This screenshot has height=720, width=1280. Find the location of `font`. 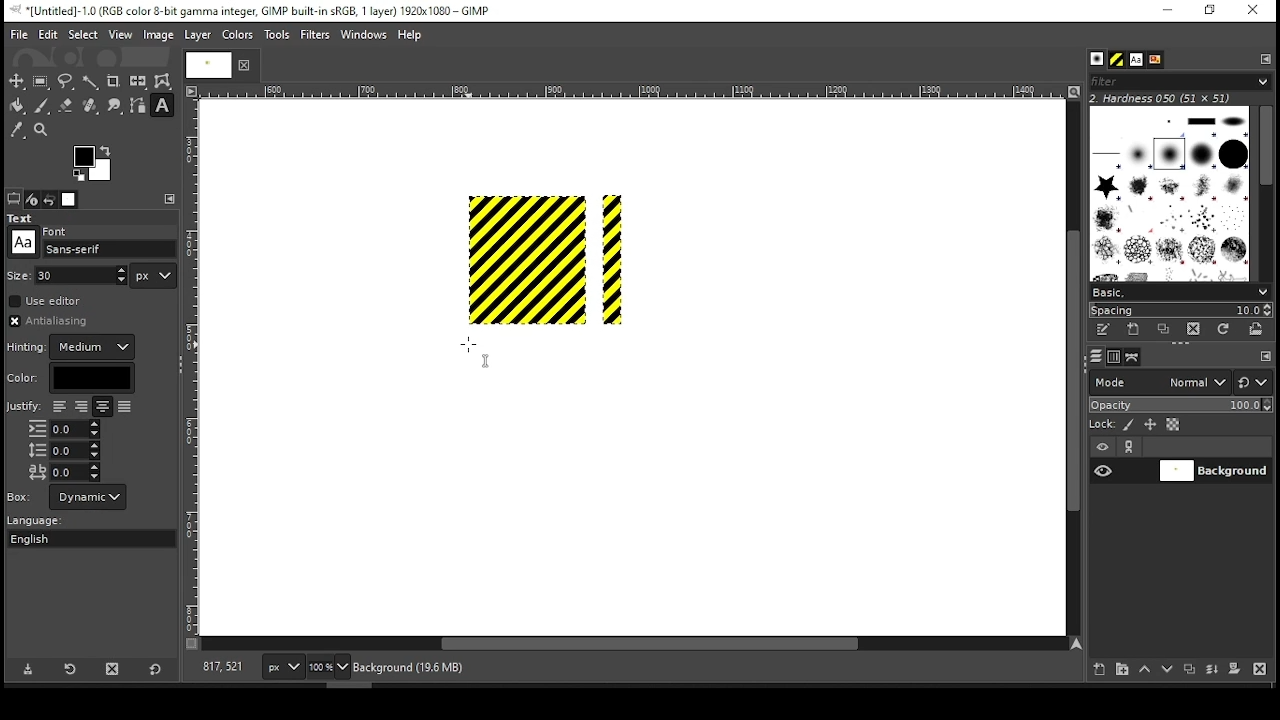

font is located at coordinates (1135, 60).